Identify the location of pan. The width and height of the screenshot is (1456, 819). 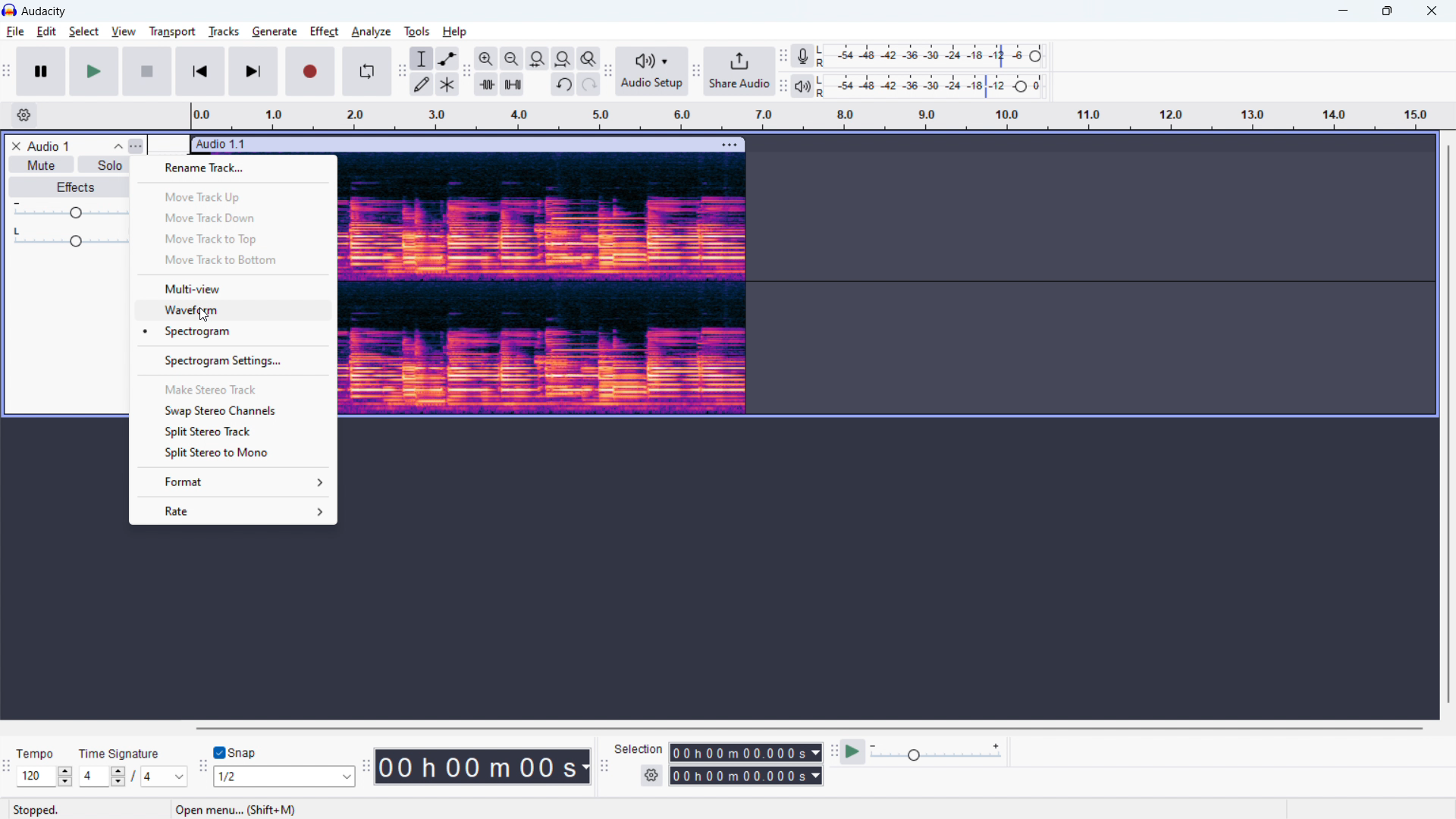
(71, 237).